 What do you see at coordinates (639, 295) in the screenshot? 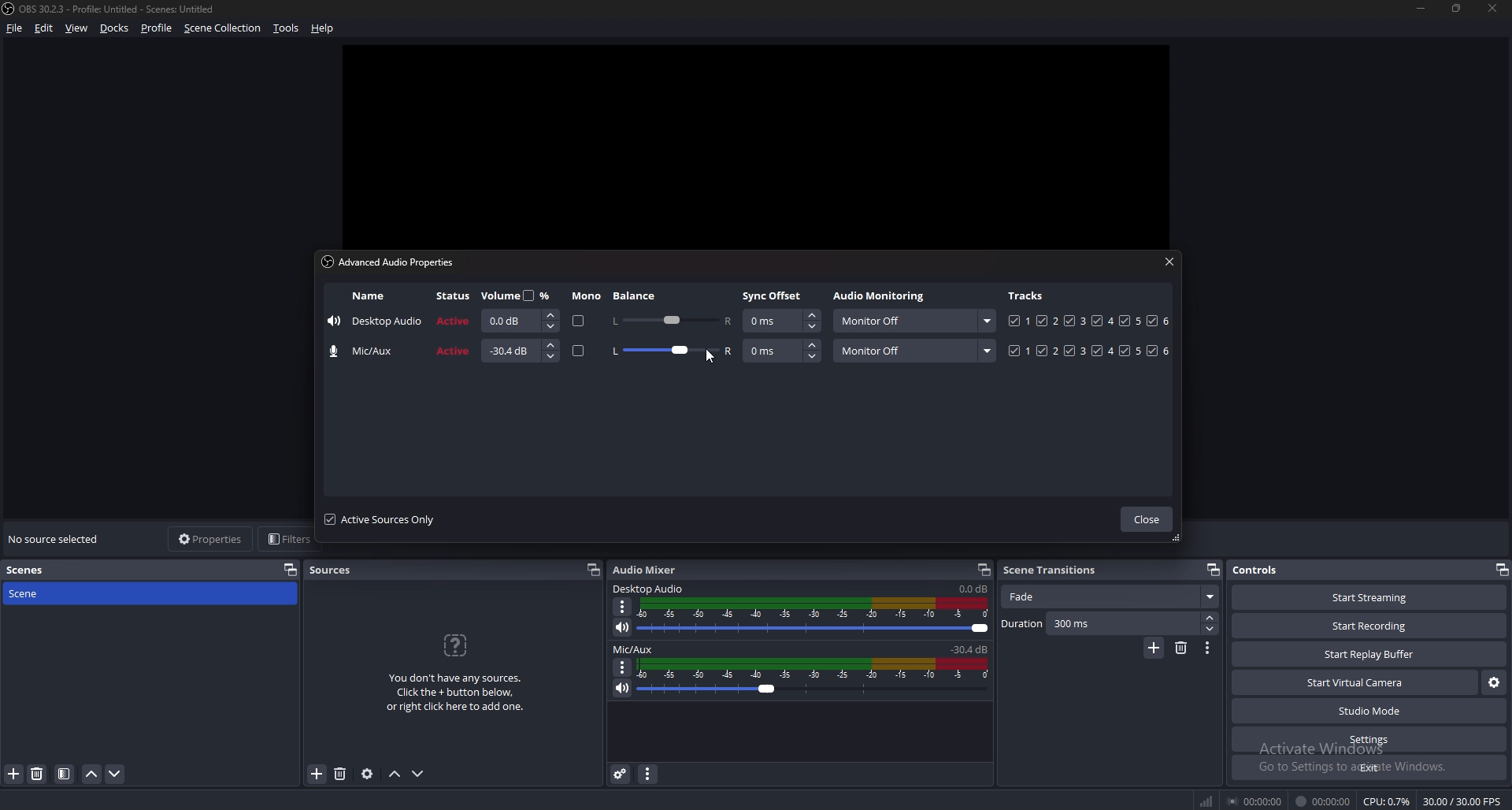
I see `balance` at bounding box center [639, 295].